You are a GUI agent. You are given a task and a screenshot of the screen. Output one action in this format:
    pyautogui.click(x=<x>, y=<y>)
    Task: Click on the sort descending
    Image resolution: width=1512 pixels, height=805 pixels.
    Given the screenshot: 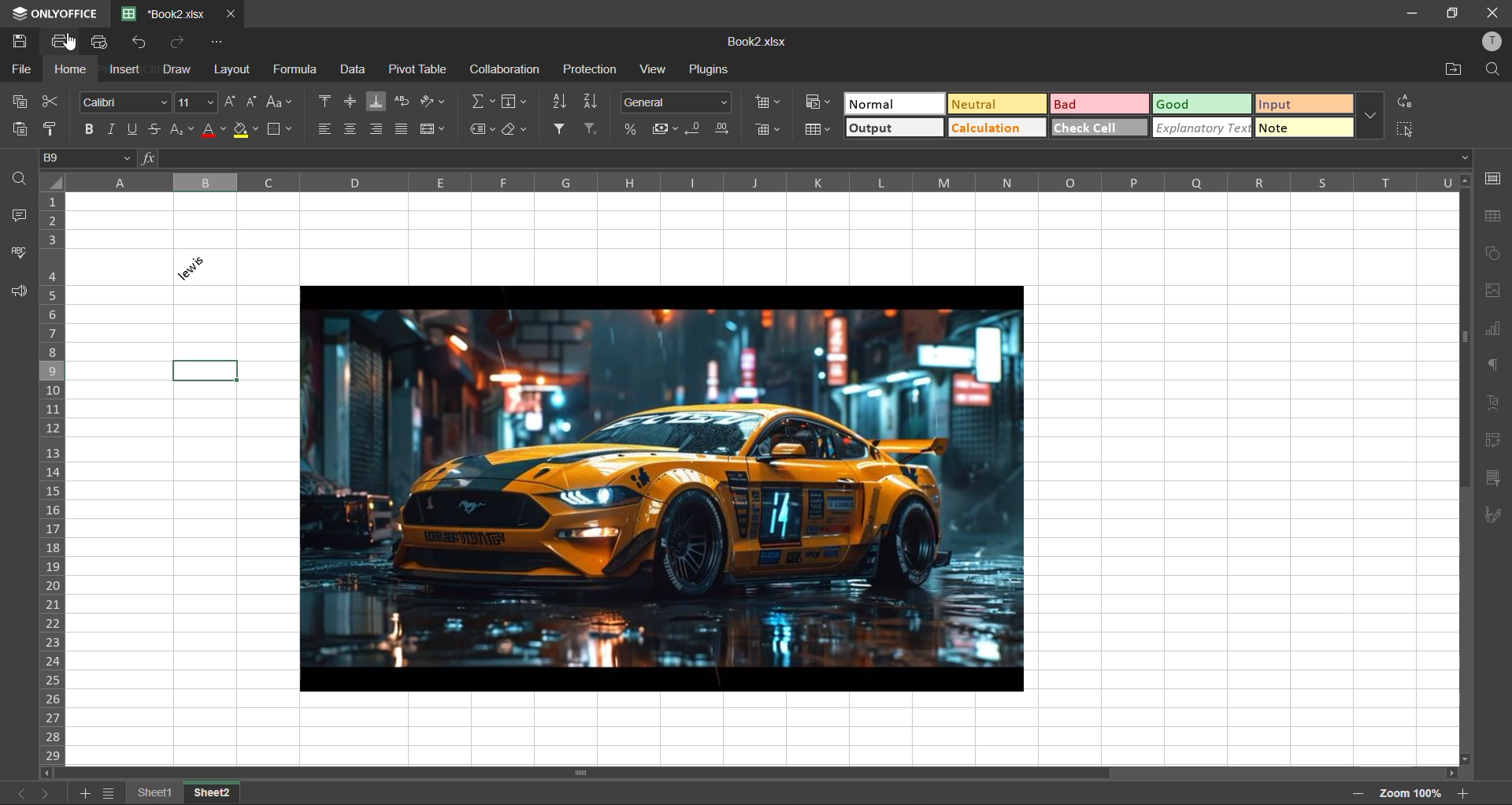 What is the action you would take?
    pyautogui.click(x=591, y=101)
    